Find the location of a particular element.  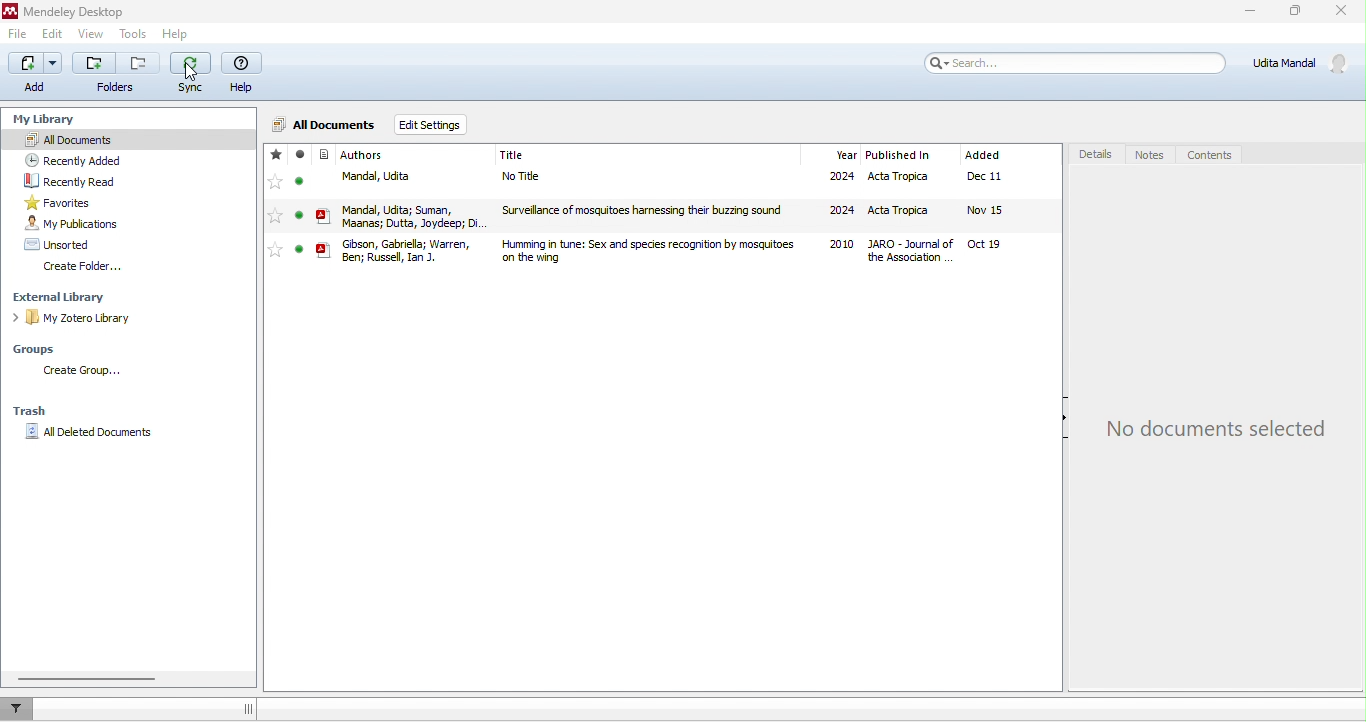

no document selected is located at coordinates (1217, 432).